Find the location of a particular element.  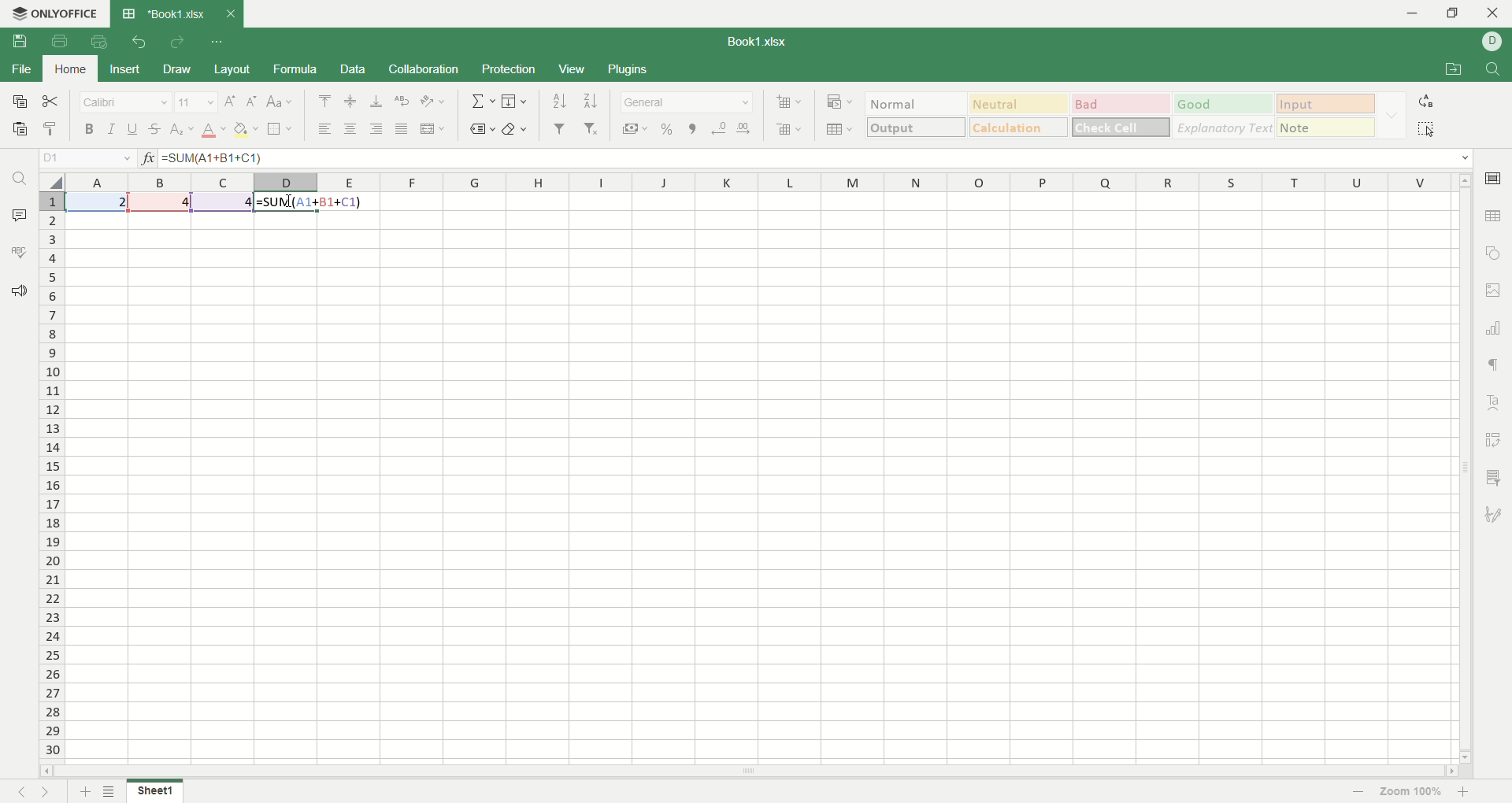

general is located at coordinates (689, 104).